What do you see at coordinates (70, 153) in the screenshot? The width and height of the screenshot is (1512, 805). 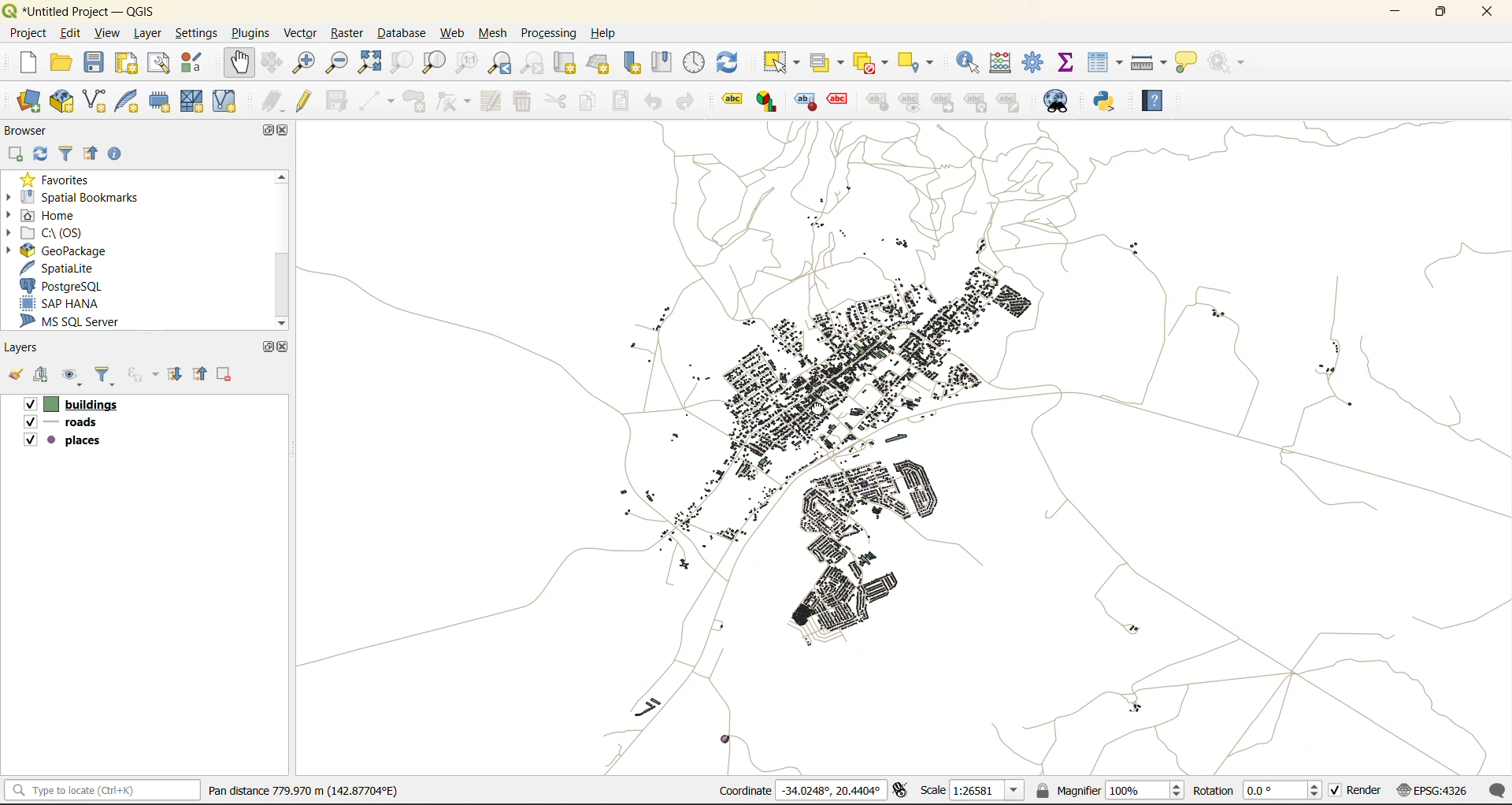 I see `filter` at bounding box center [70, 153].